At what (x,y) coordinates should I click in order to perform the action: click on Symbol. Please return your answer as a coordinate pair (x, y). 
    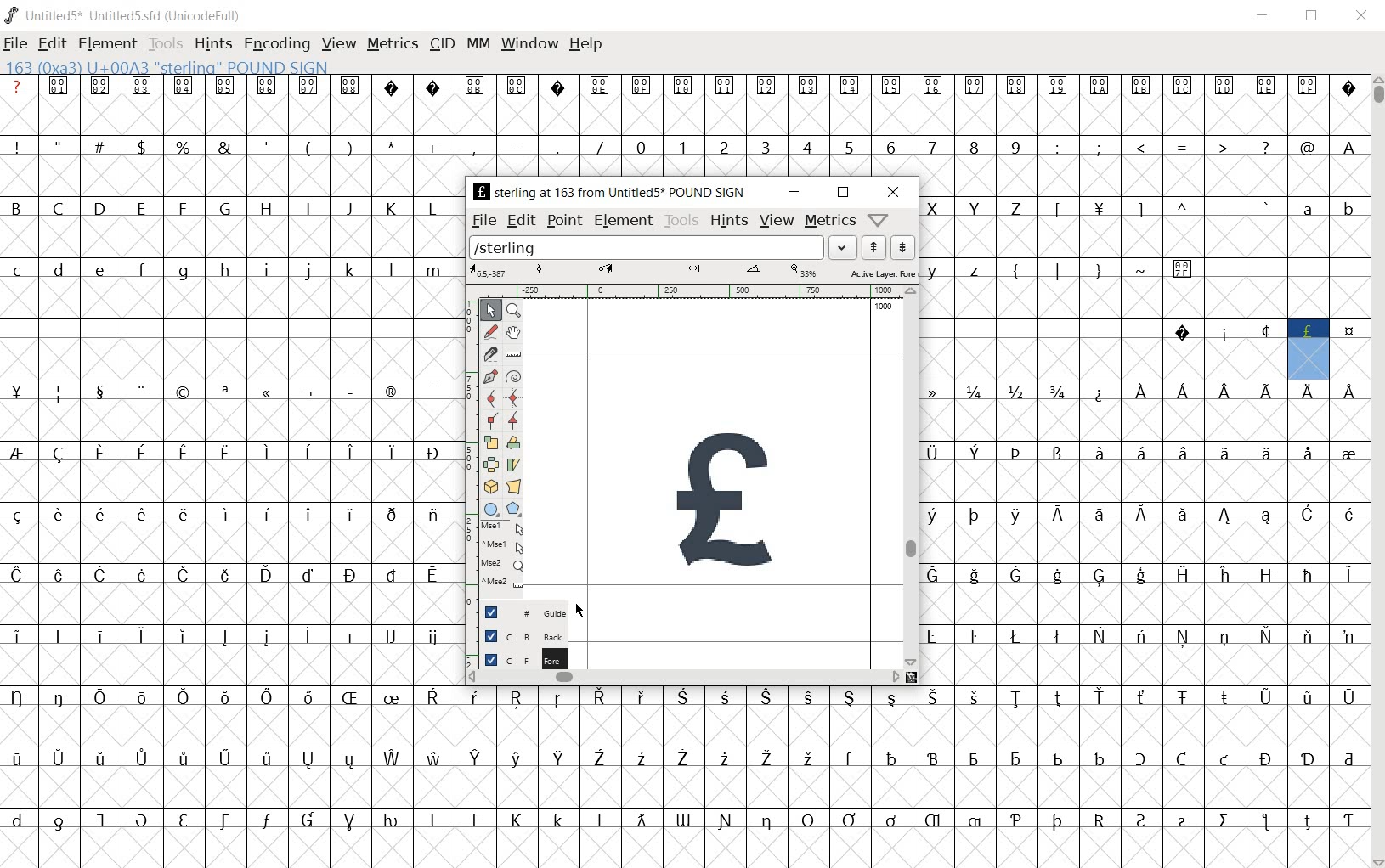
    Looking at the image, I should click on (1225, 516).